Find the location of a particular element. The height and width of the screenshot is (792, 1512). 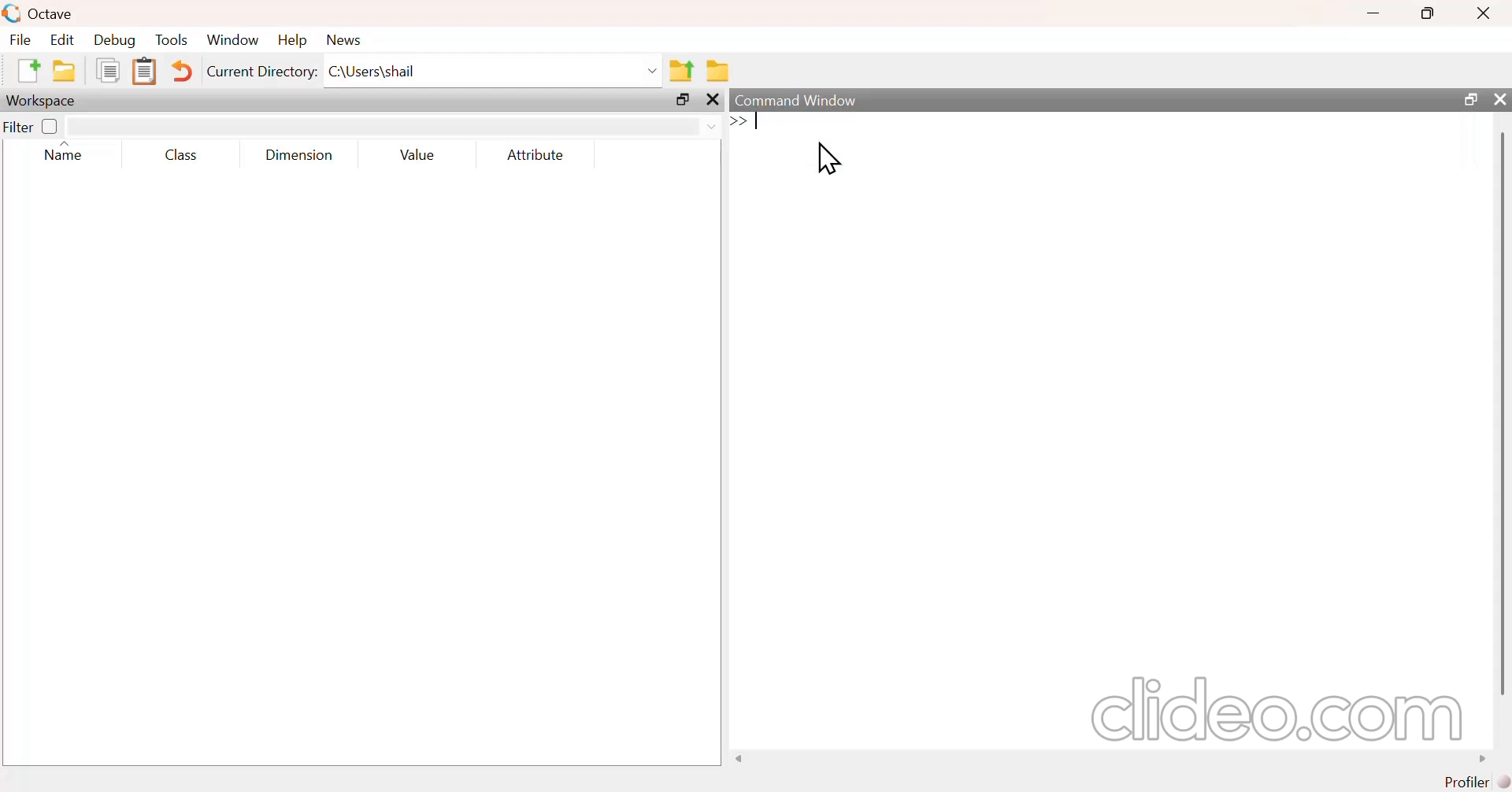

tools is located at coordinates (168, 40).